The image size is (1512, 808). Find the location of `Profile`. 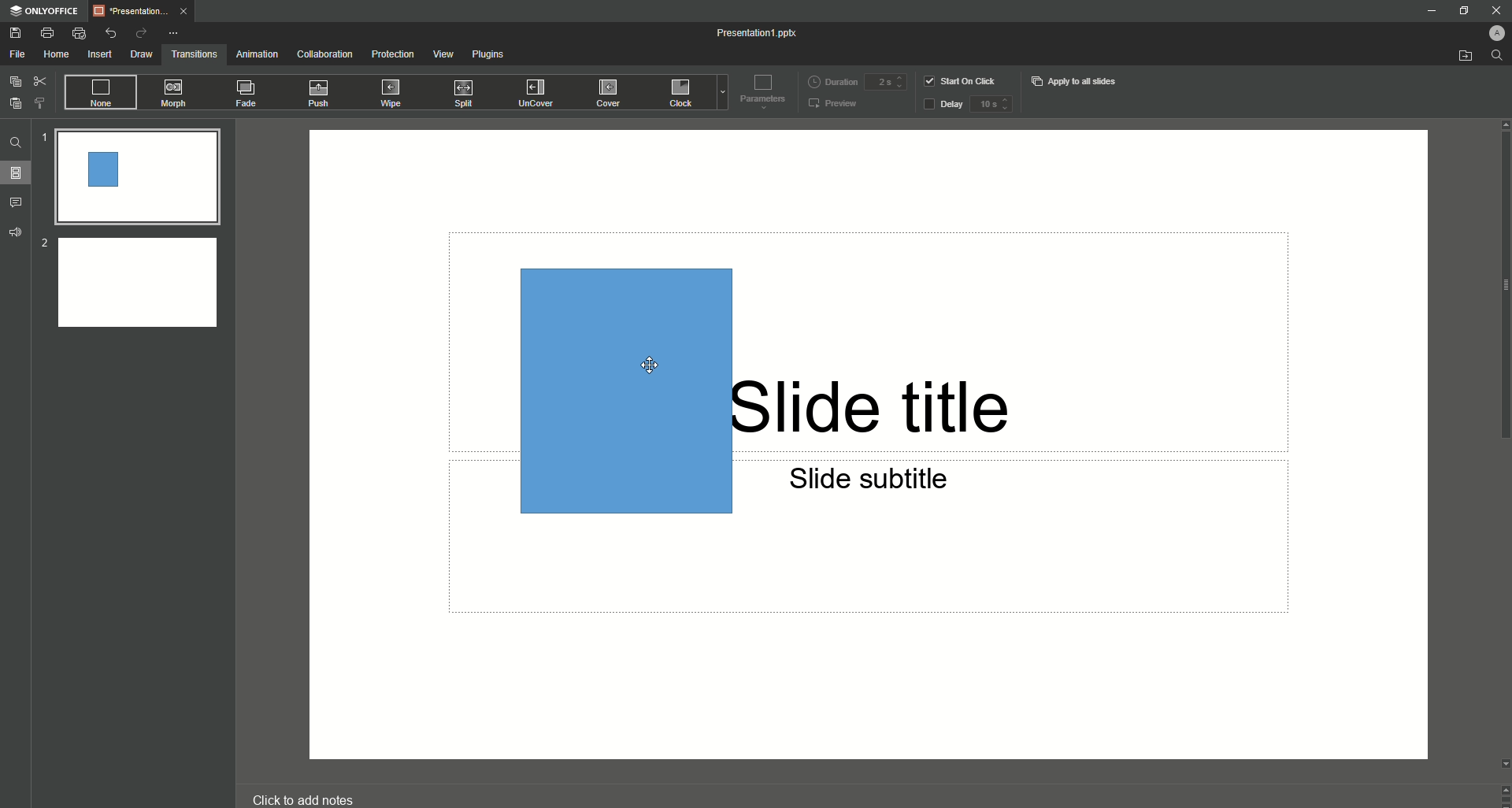

Profile is located at coordinates (1491, 33).